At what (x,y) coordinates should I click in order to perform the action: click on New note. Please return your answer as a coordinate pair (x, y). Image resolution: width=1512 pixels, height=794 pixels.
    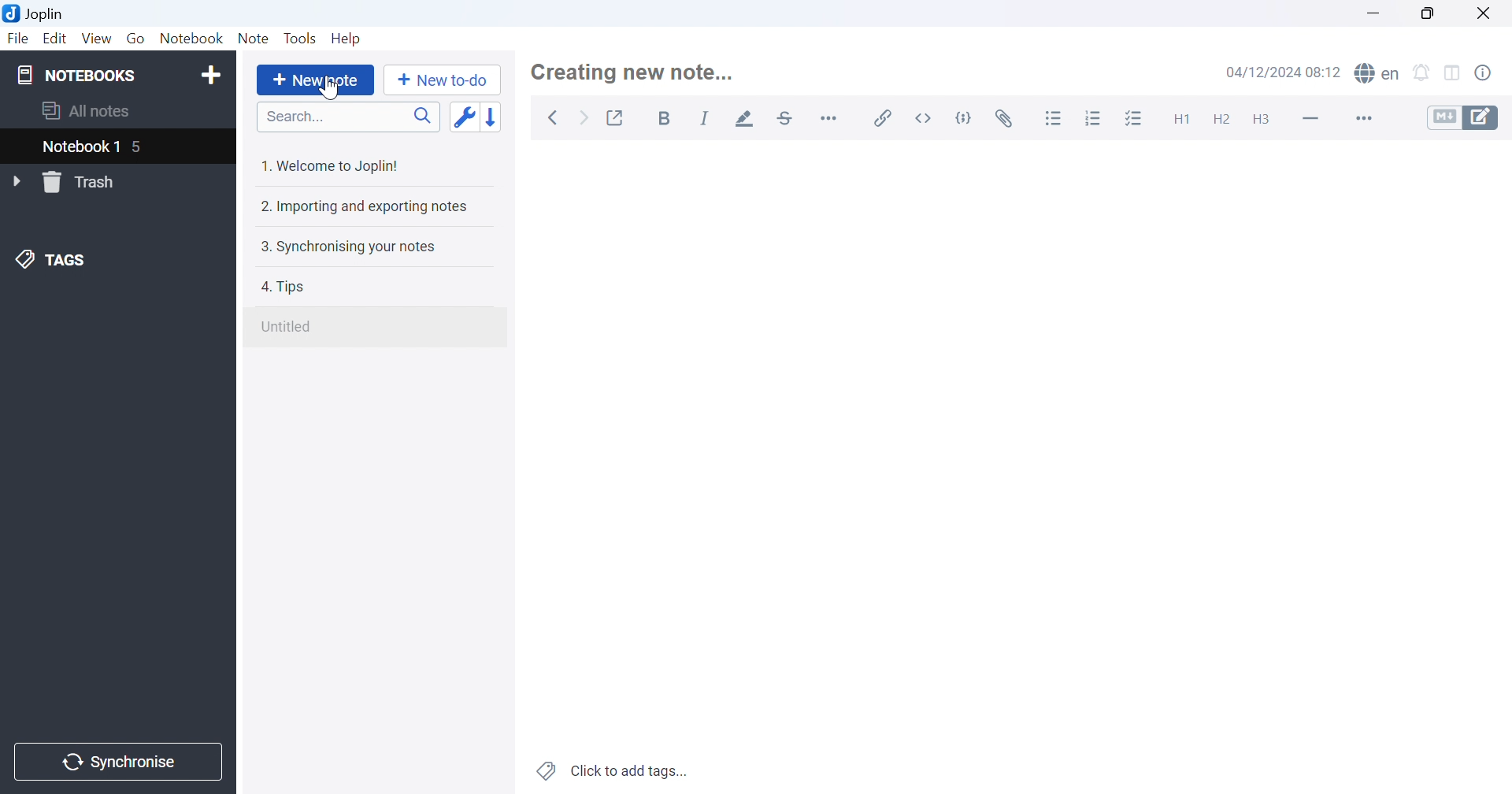
    Looking at the image, I should click on (315, 81).